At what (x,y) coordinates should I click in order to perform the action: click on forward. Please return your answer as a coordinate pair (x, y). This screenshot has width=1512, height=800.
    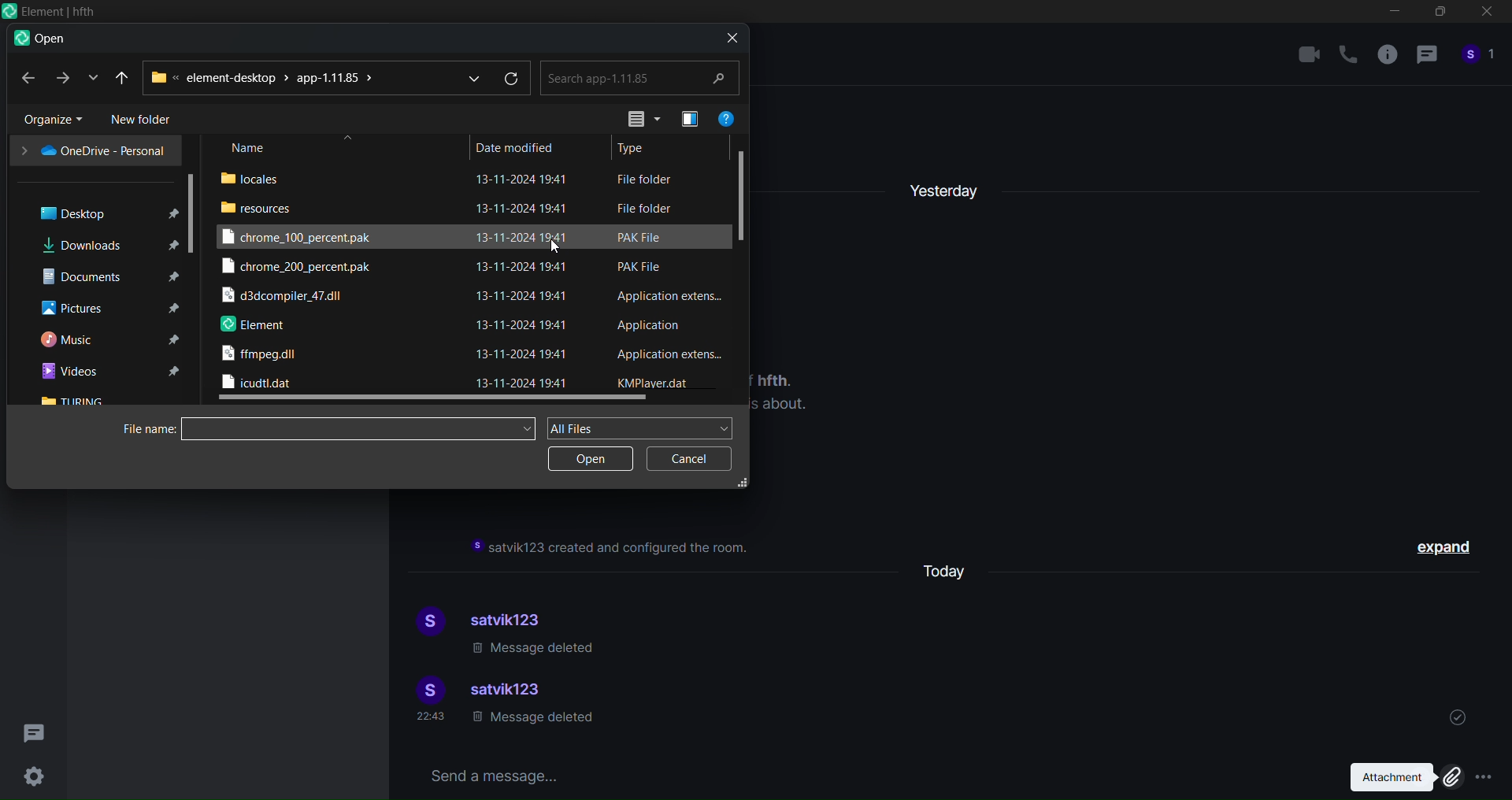
    Looking at the image, I should click on (61, 78).